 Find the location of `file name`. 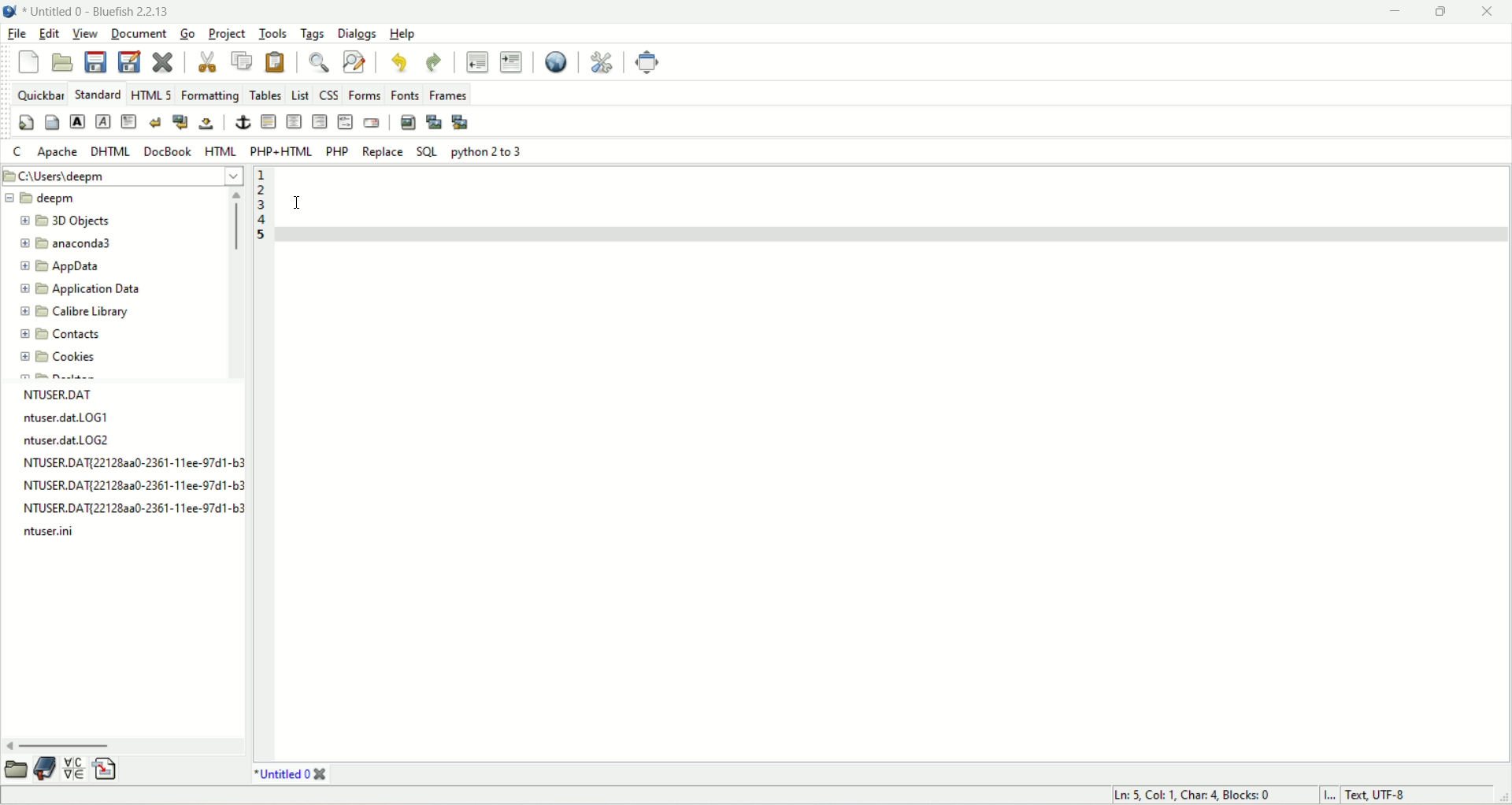

file name is located at coordinates (74, 417).